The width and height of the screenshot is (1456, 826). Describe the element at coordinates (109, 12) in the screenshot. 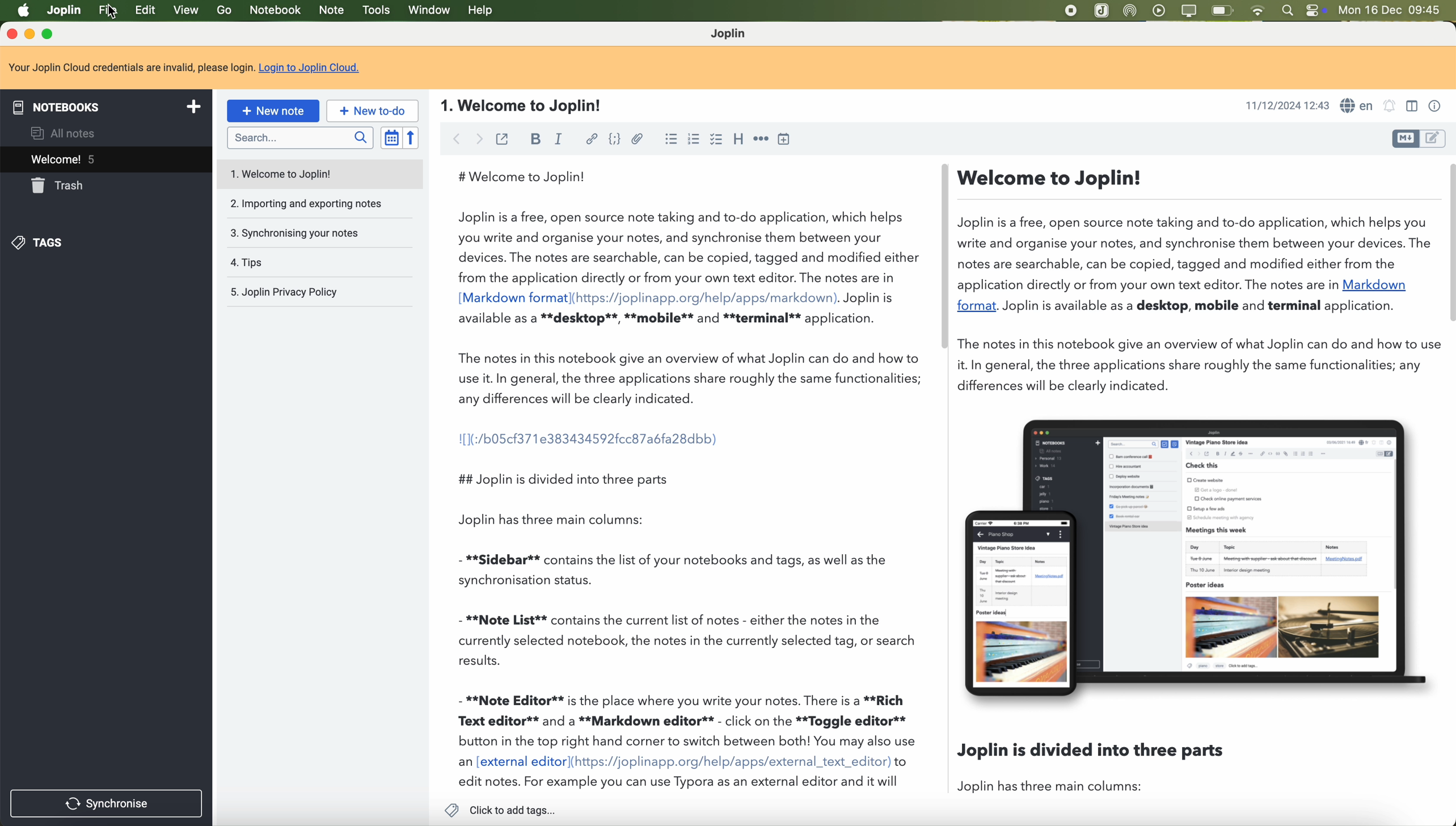

I see `click on file` at that location.